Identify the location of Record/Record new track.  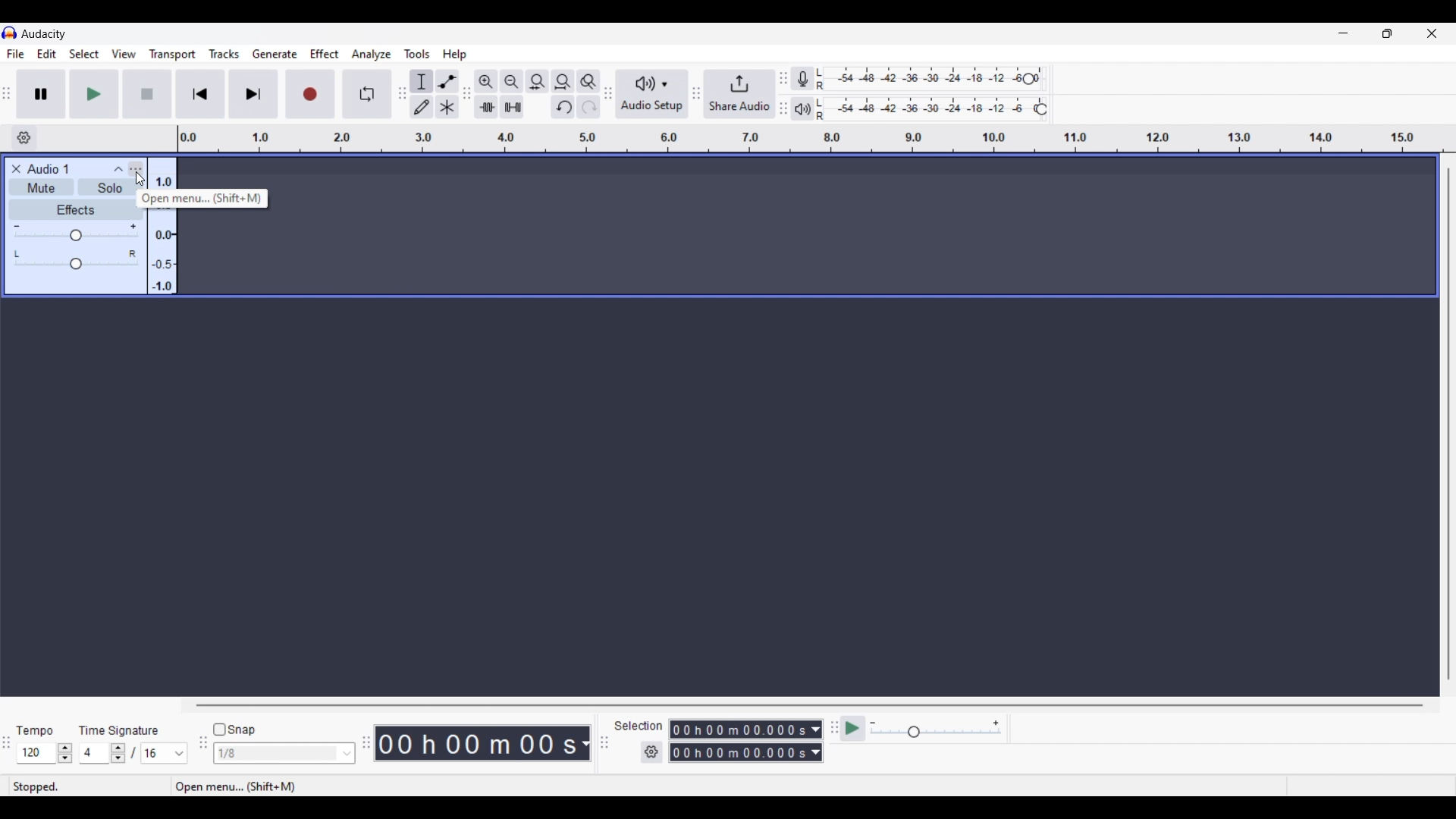
(311, 93).